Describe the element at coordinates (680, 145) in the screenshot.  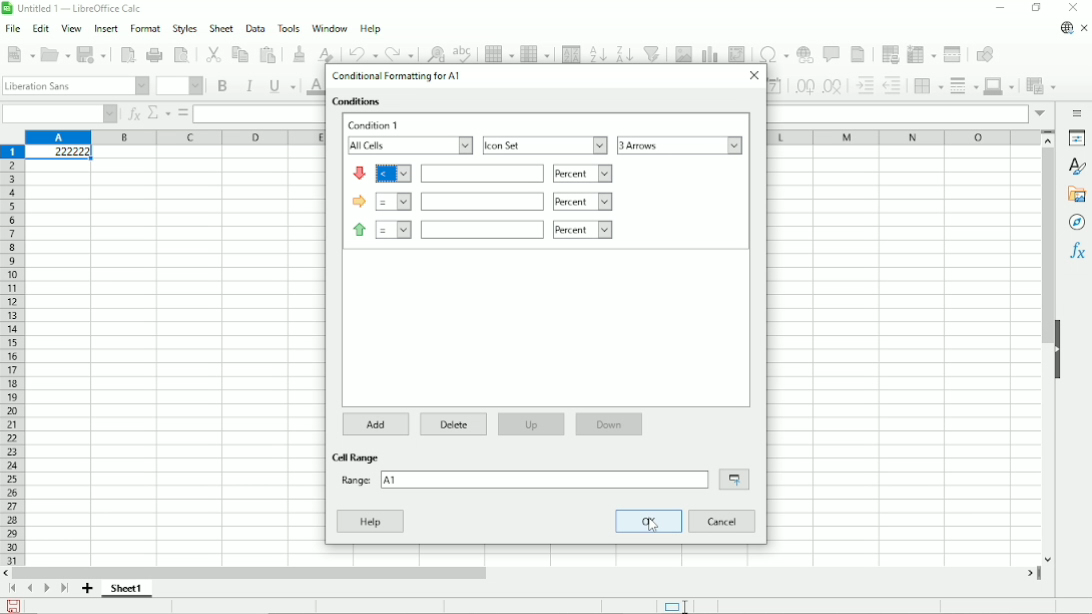
I see `3 arrows` at that location.